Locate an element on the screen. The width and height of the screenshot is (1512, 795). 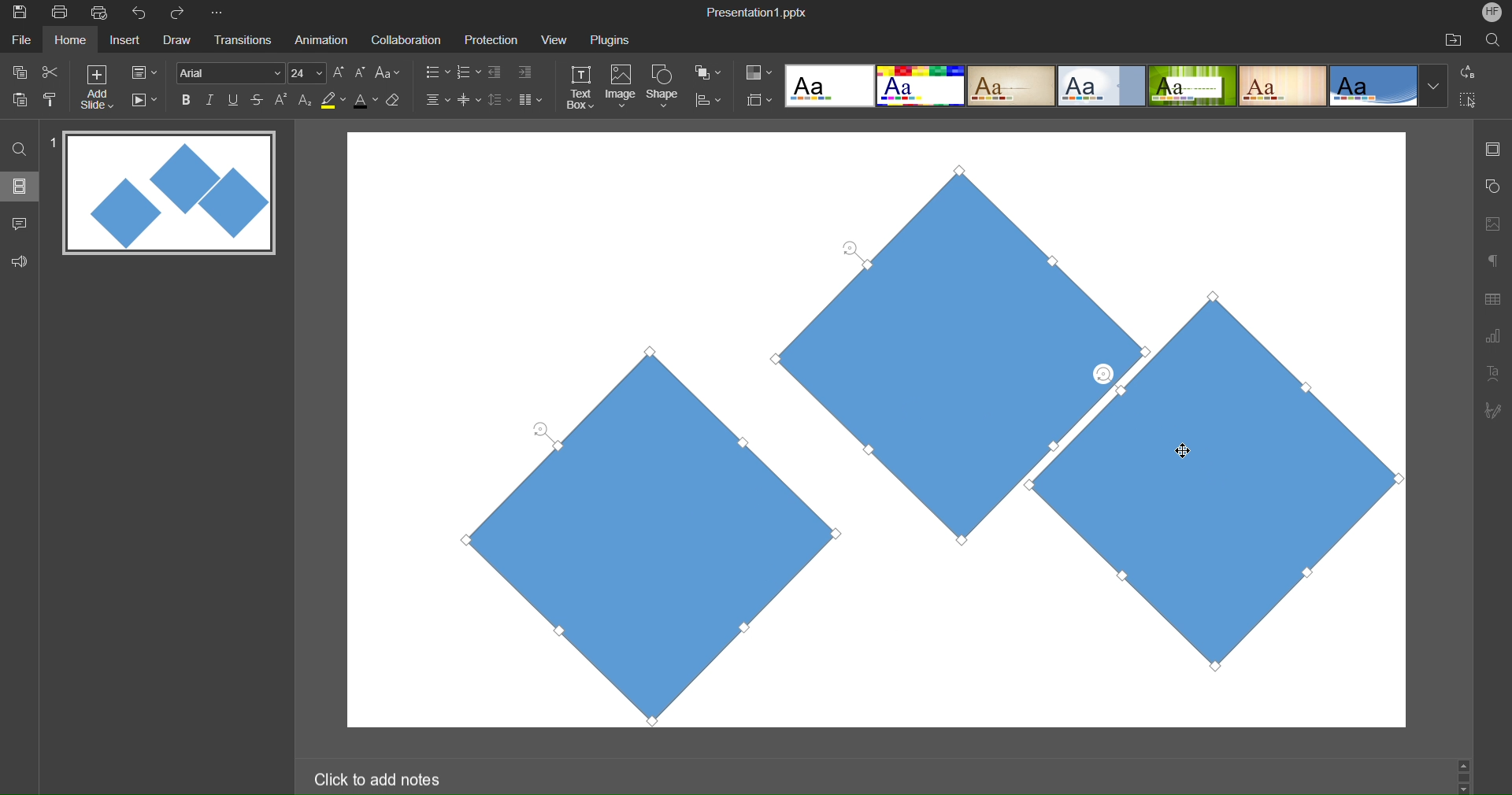
Text Art is located at coordinates (1493, 372).